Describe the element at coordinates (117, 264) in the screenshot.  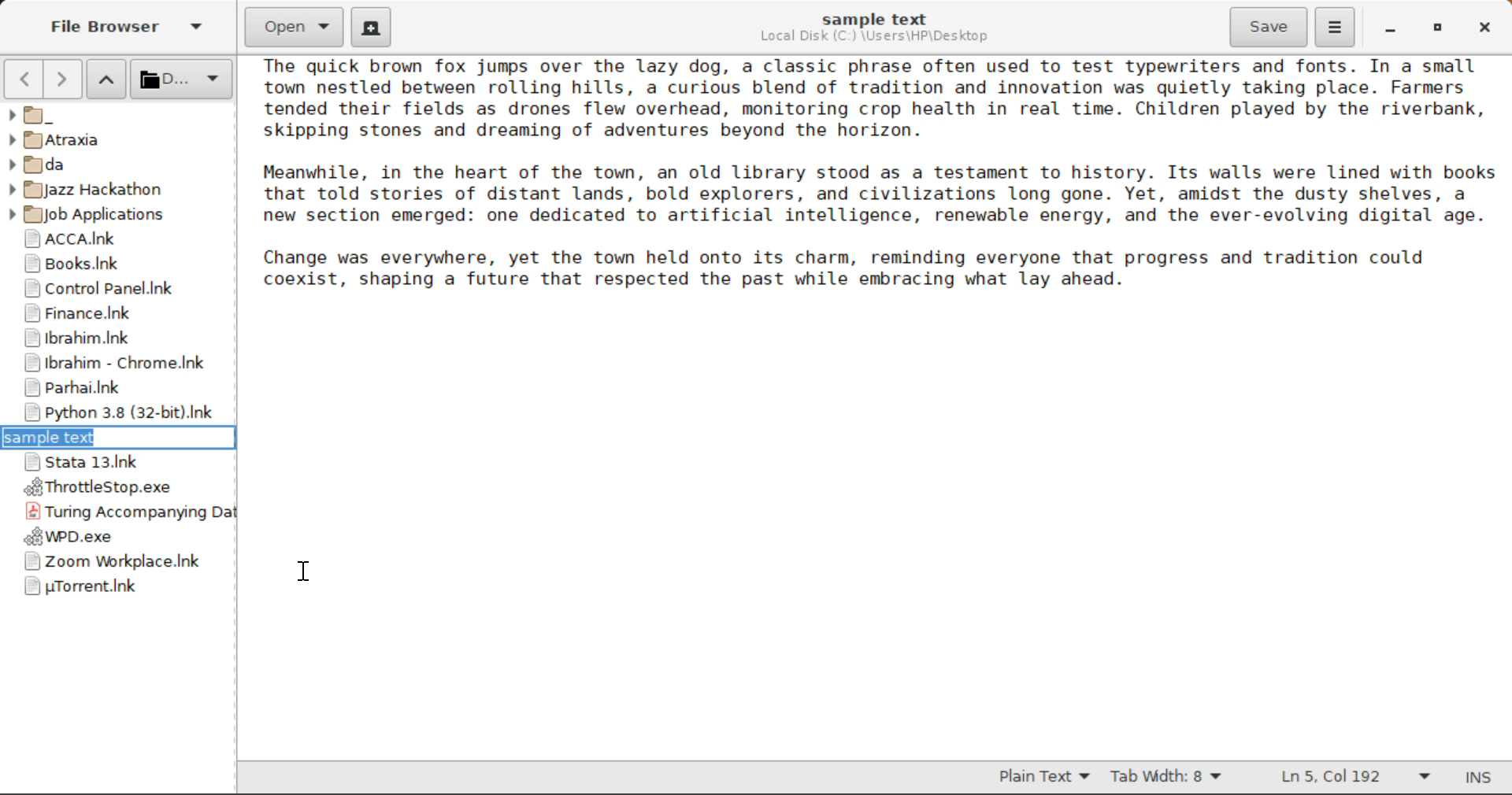
I see `Books Folder Shortcut Link` at that location.